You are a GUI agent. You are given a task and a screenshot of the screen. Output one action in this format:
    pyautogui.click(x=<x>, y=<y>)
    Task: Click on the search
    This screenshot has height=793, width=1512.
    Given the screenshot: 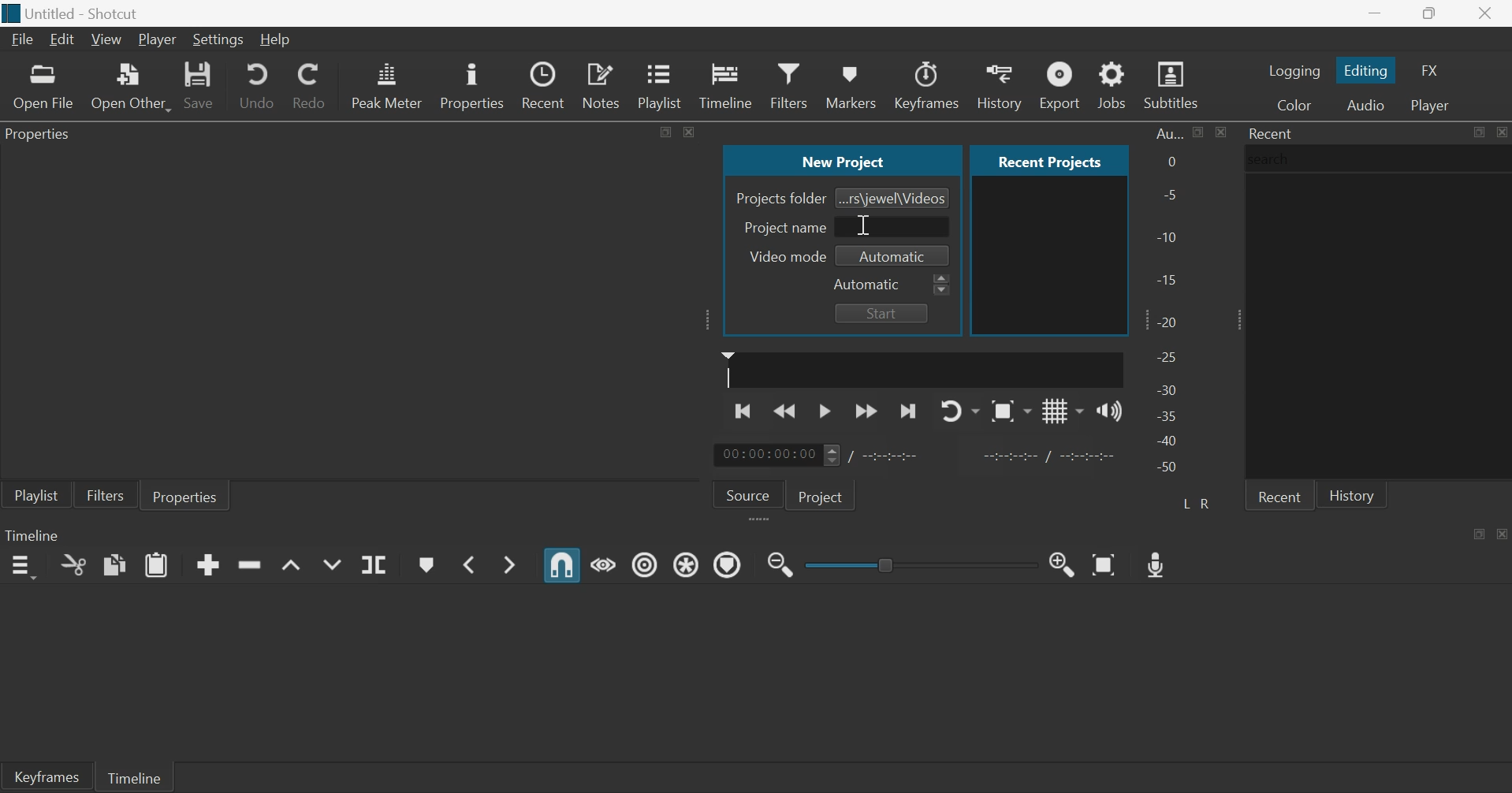 What is the action you would take?
    pyautogui.click(x=1273, y=158)
    